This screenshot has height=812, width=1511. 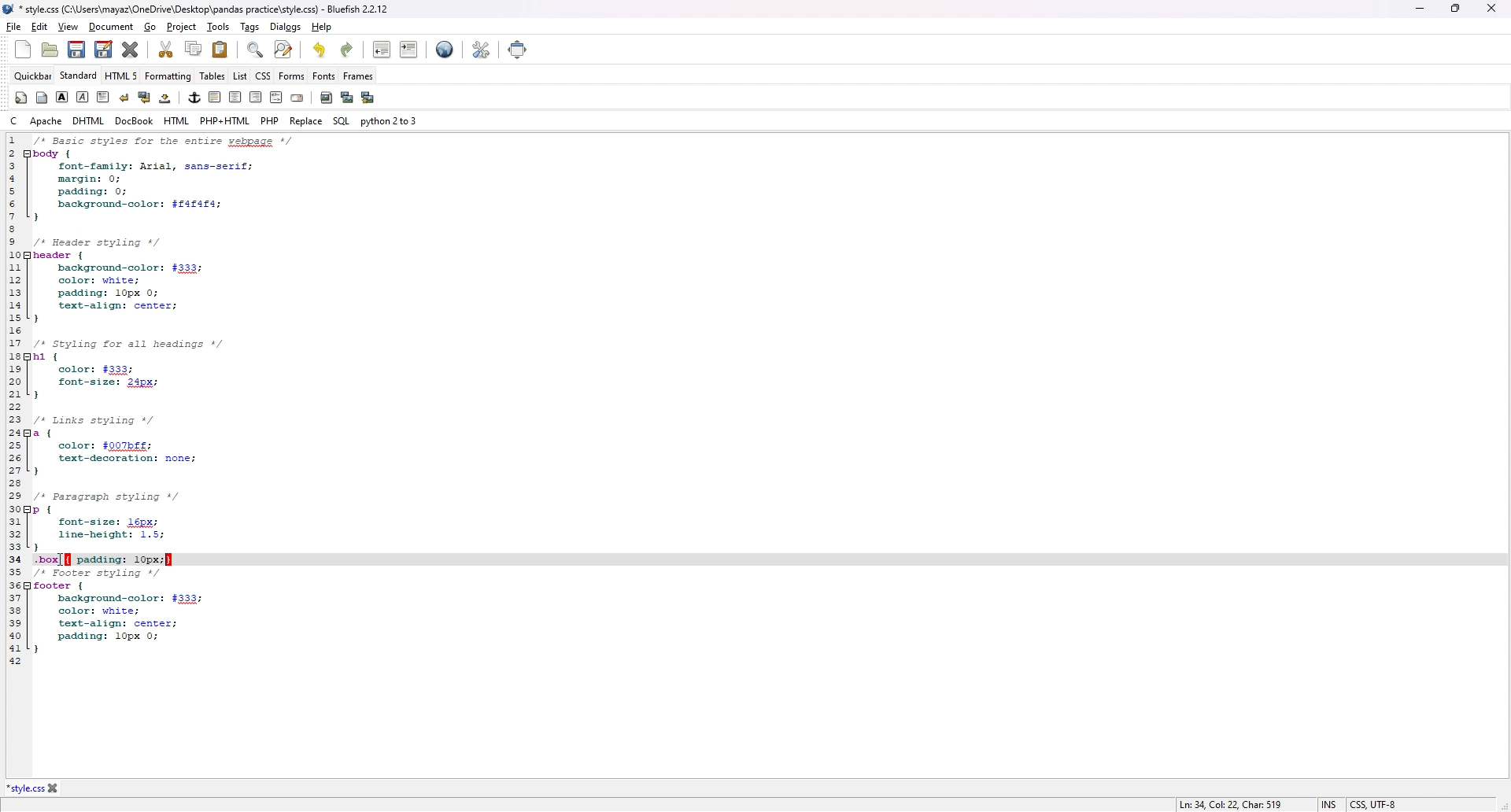 I want to click on center, so click(x=235, y=98).